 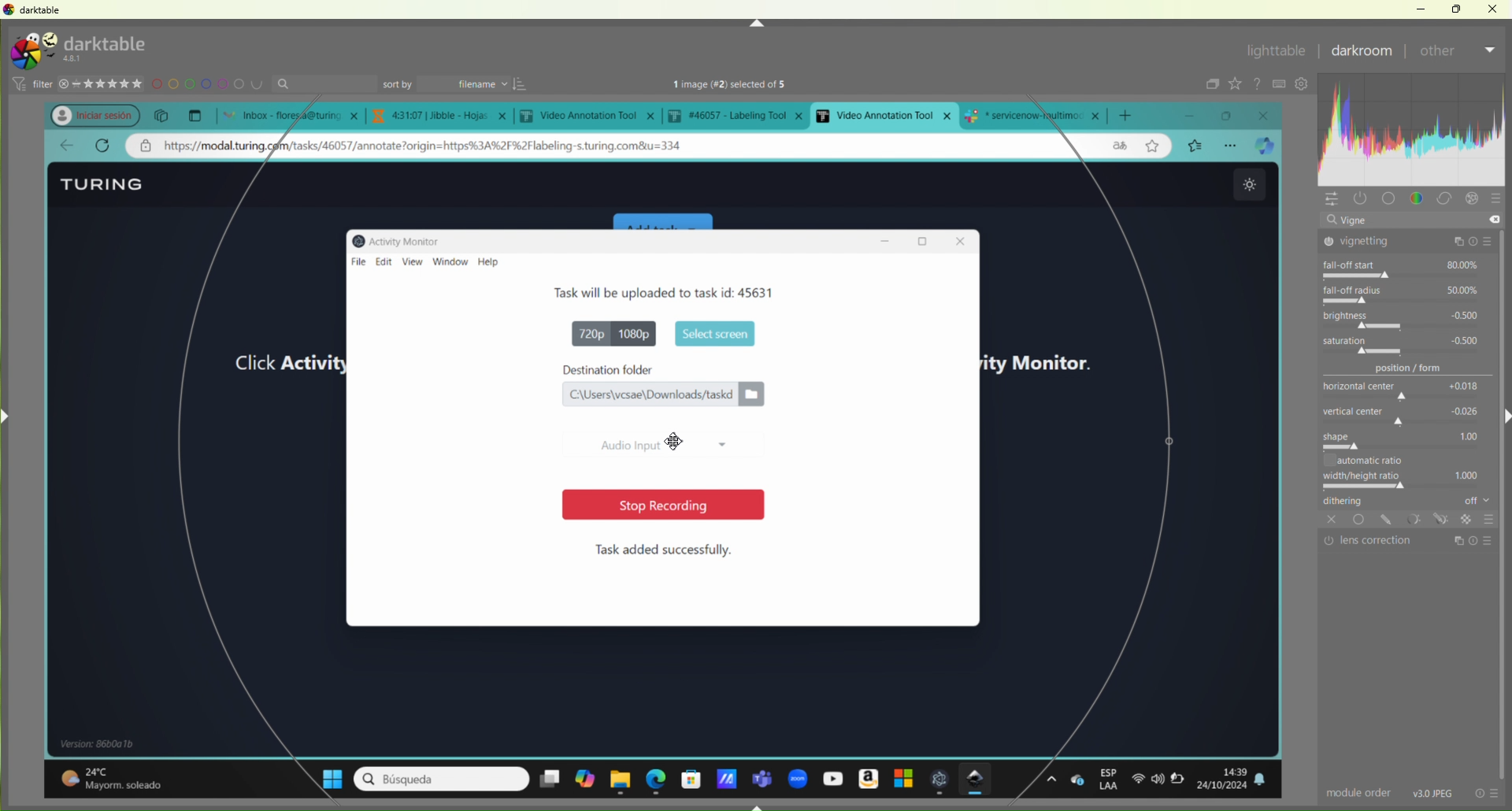 I want to click on file explorer, so click(x=622, y=779).